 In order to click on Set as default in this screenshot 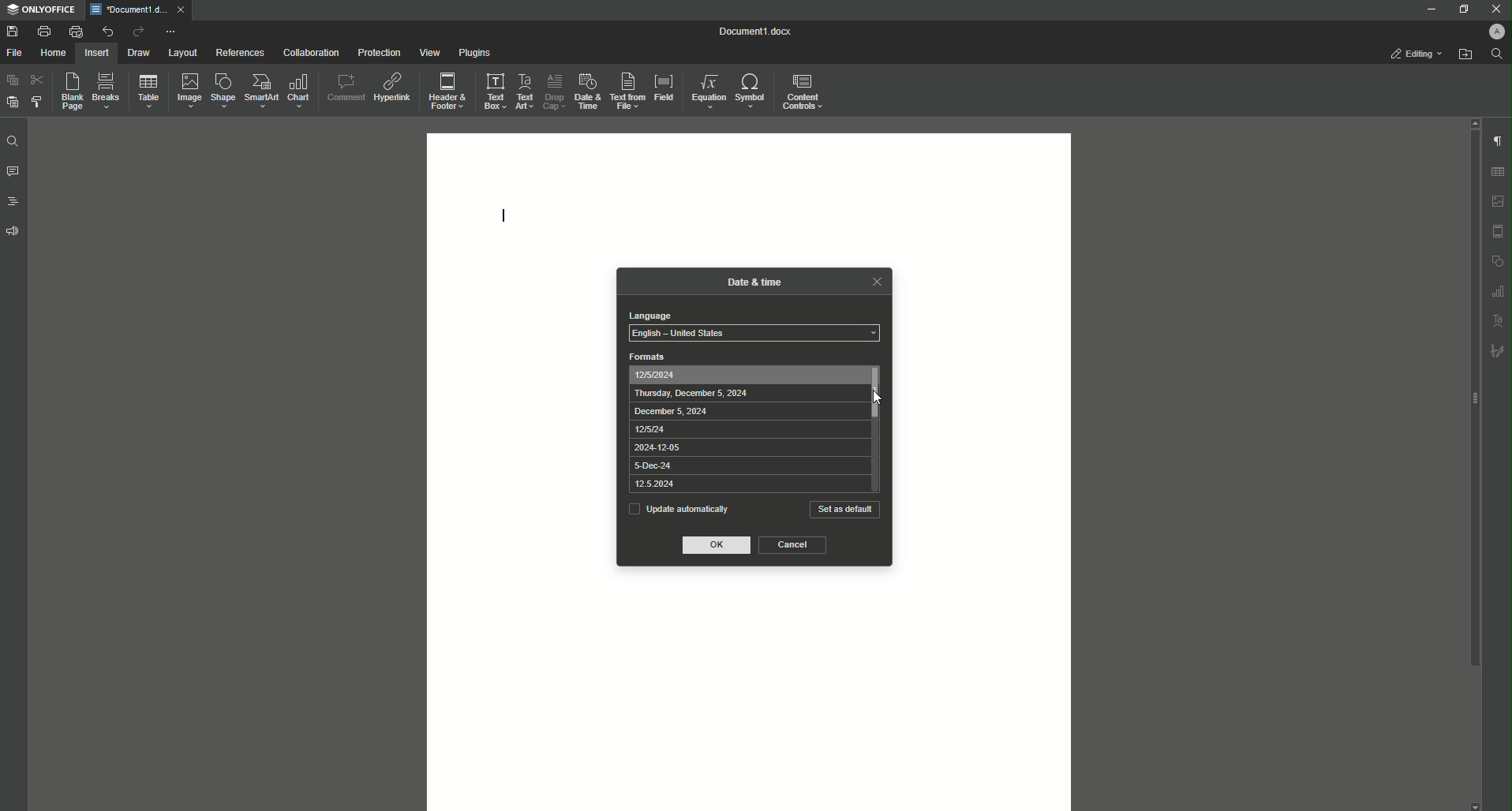, I will do `click(845, 510)`.